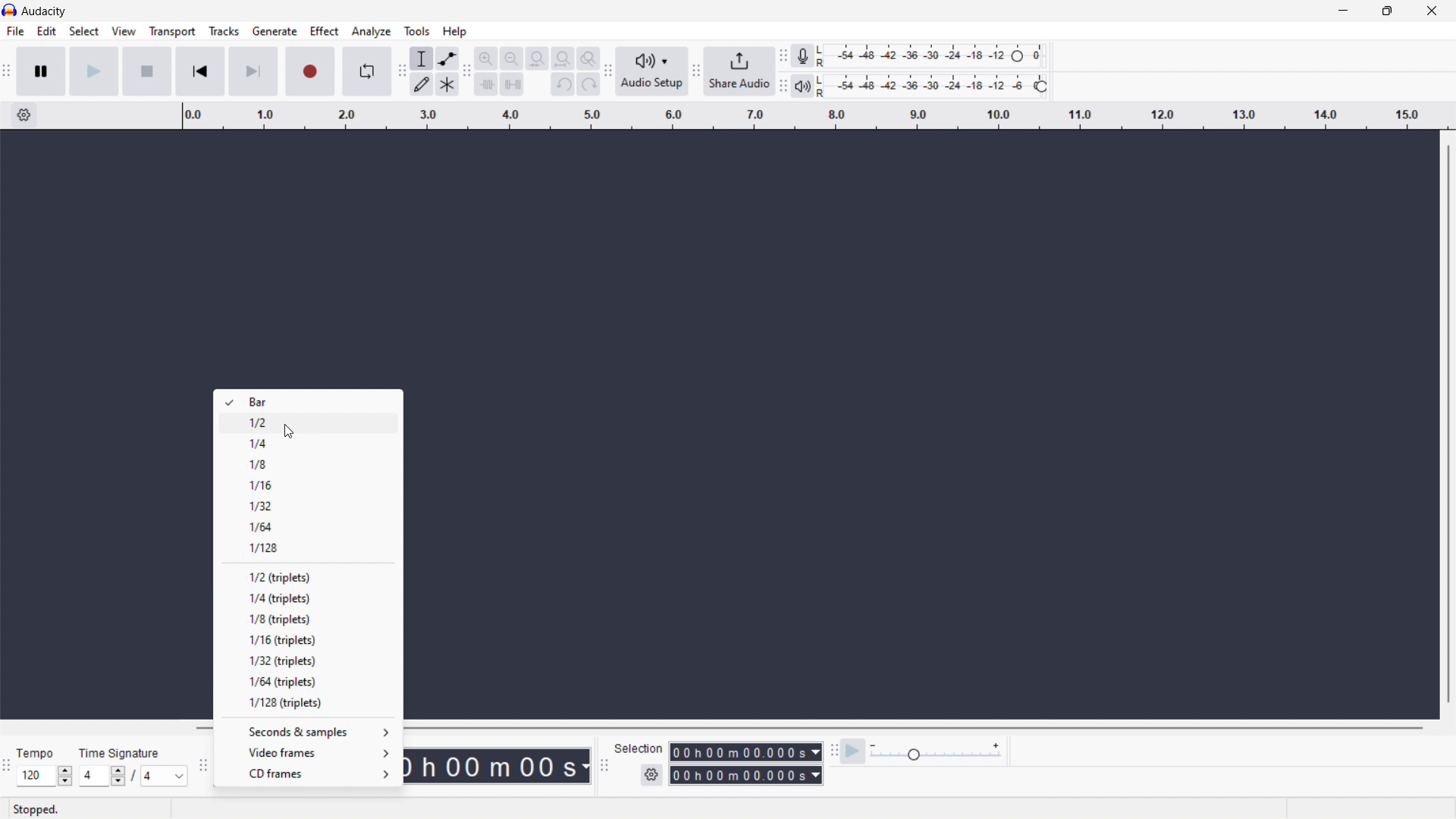 The width and height of the screenshot is (1456, 819). Describe the element at coordinates (124, 31) in the screenshot. I see `view` at that location.